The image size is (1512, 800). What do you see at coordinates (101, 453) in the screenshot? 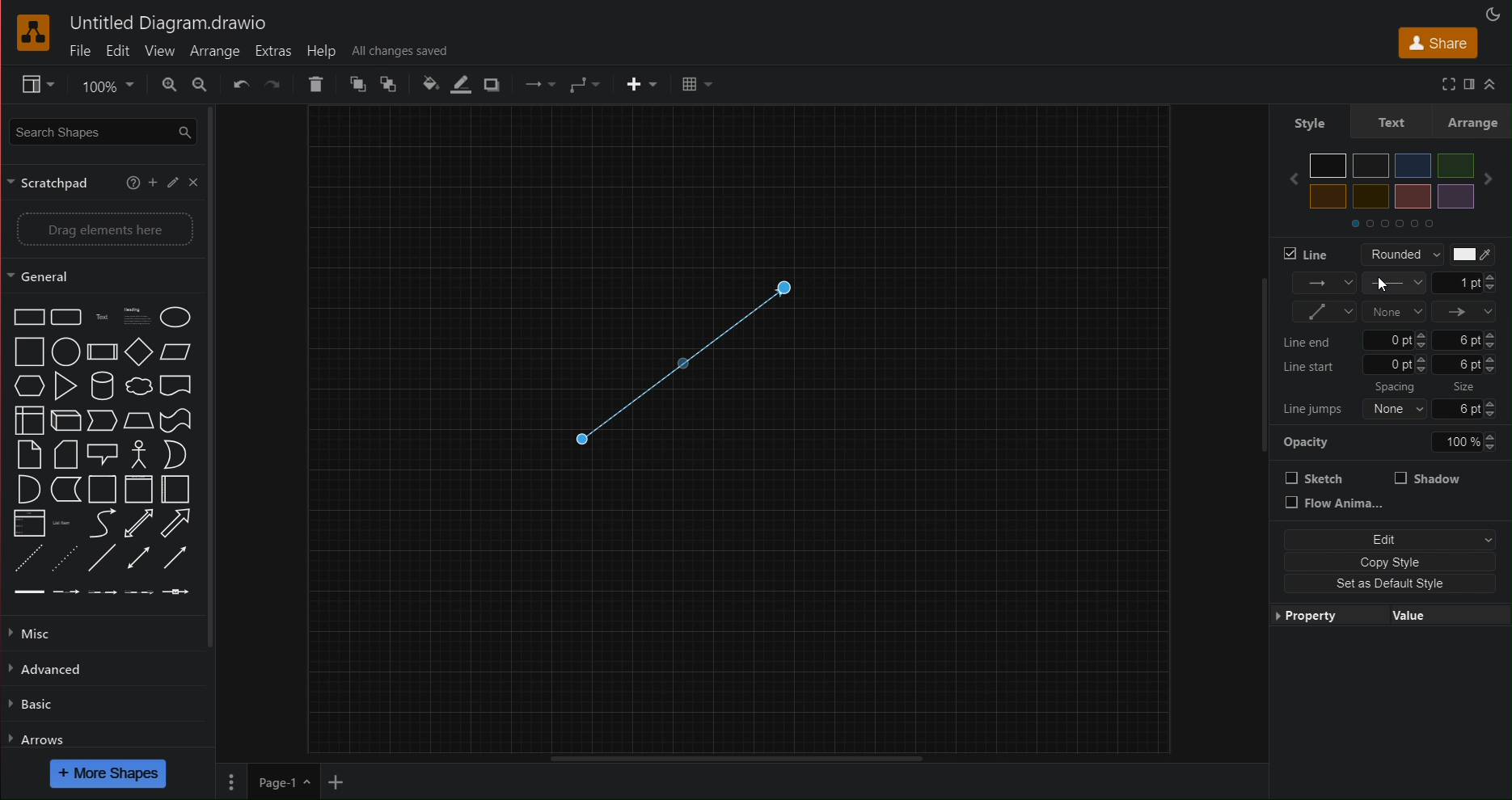
I see `Shape Menu` at bounding box center [101, 453].